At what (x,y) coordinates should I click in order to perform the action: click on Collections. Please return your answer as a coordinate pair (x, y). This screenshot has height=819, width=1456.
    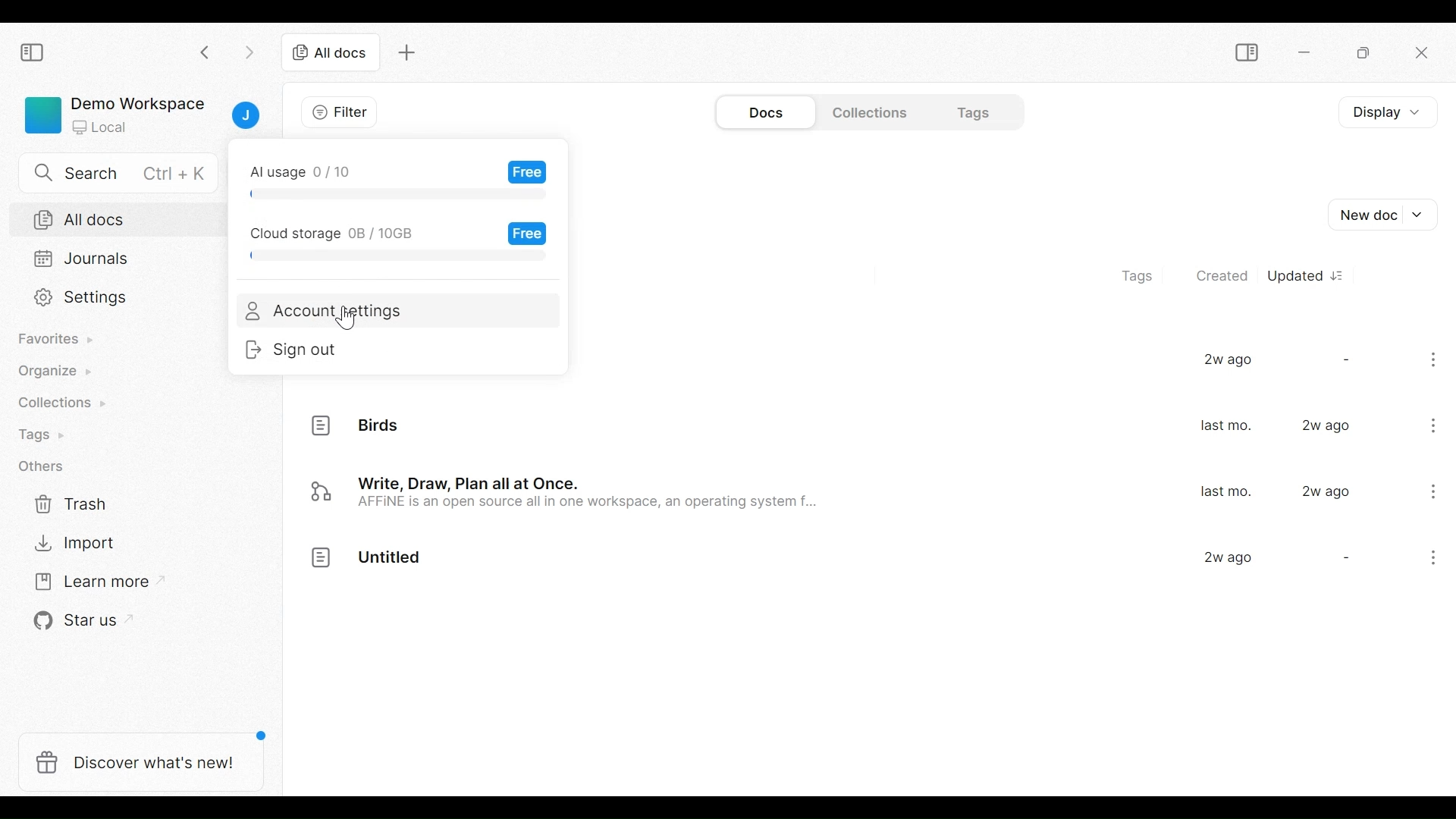
    Looking at the image, I should click on (867, 112).